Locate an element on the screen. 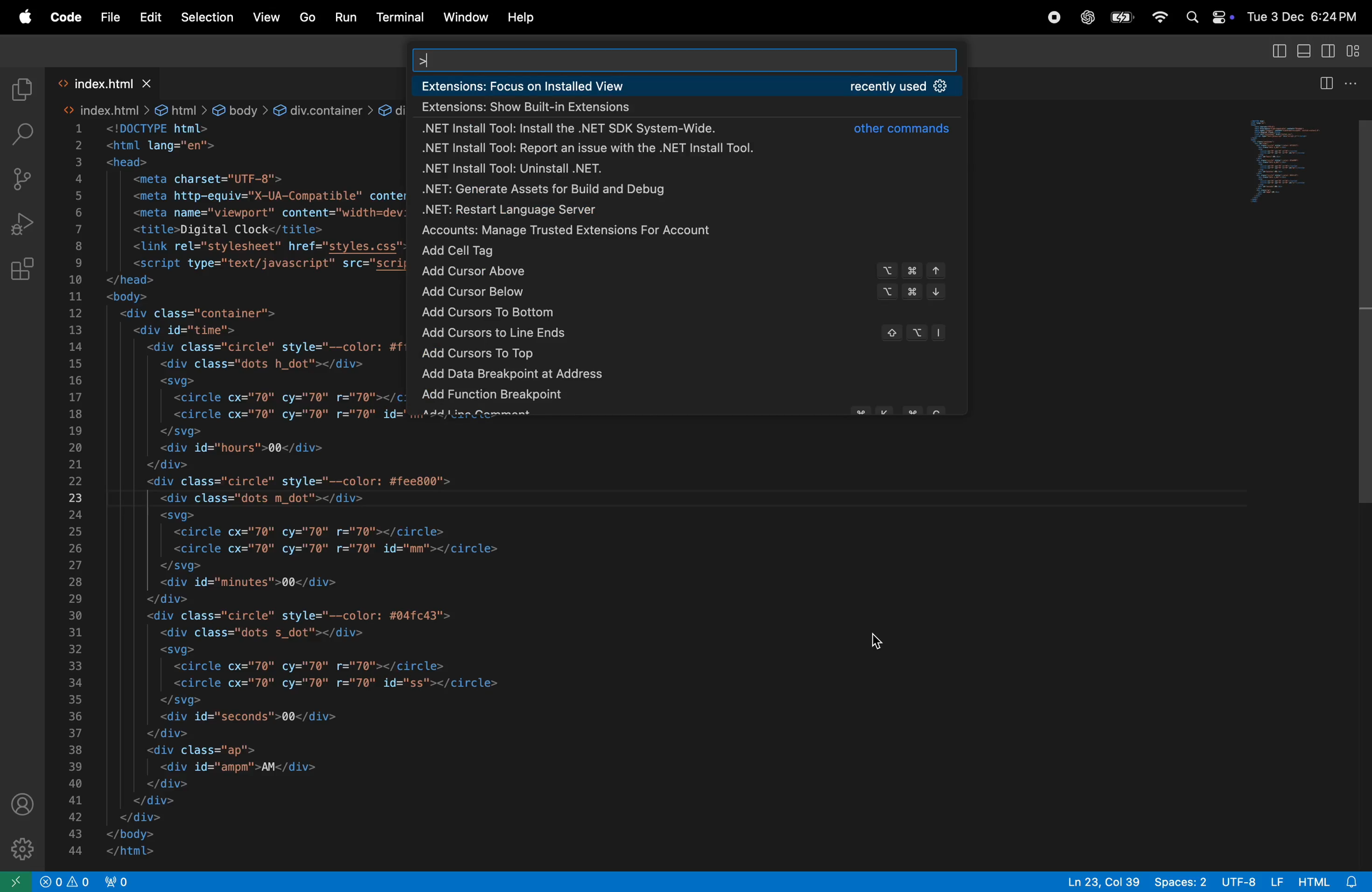  div.container is located at coordinates (322, 109).